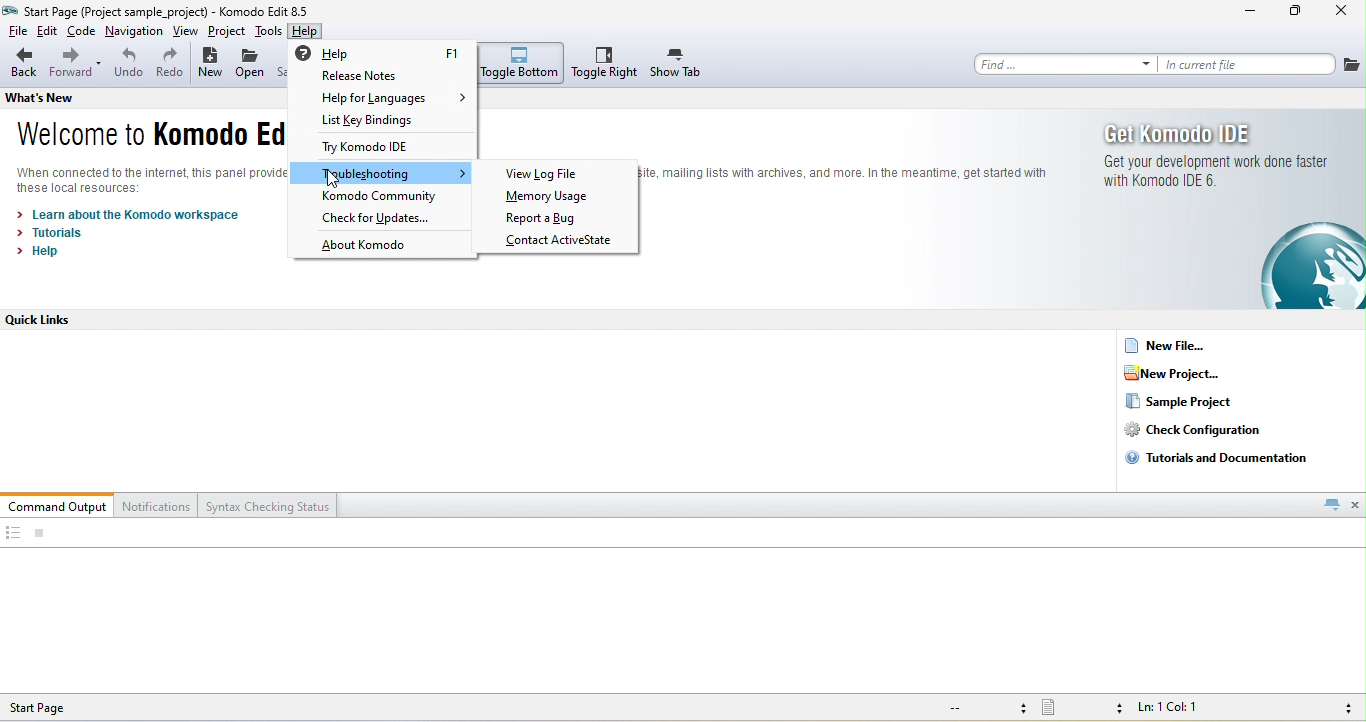 This screenshot has width=1366, height=722. What do you see at coordinates (158, 505) in the screenshot?
I see `notifications` at bounding box center [158, 505].